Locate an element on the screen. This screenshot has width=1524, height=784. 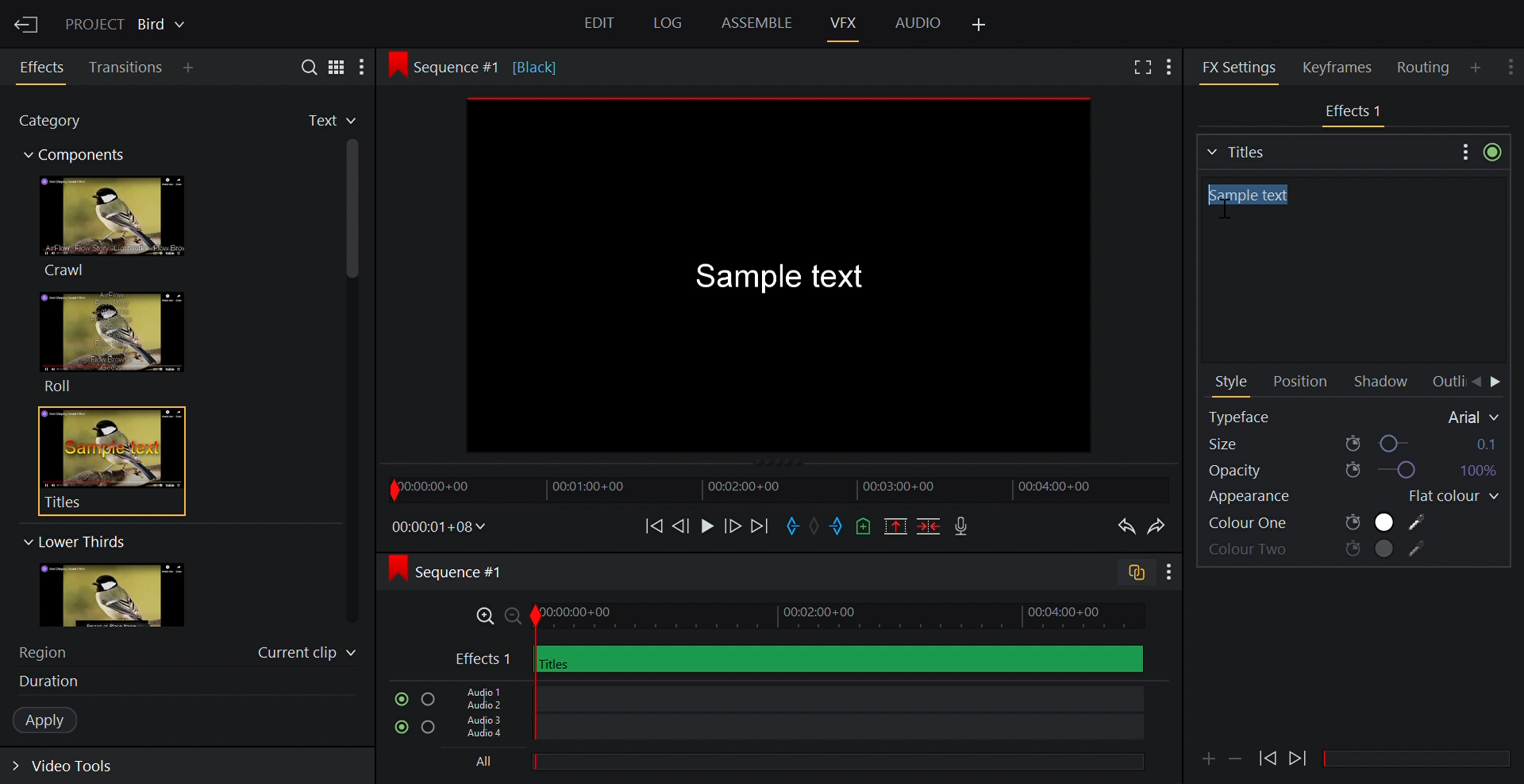
Toggle between list and tile view is located at coordinates (337, 66).